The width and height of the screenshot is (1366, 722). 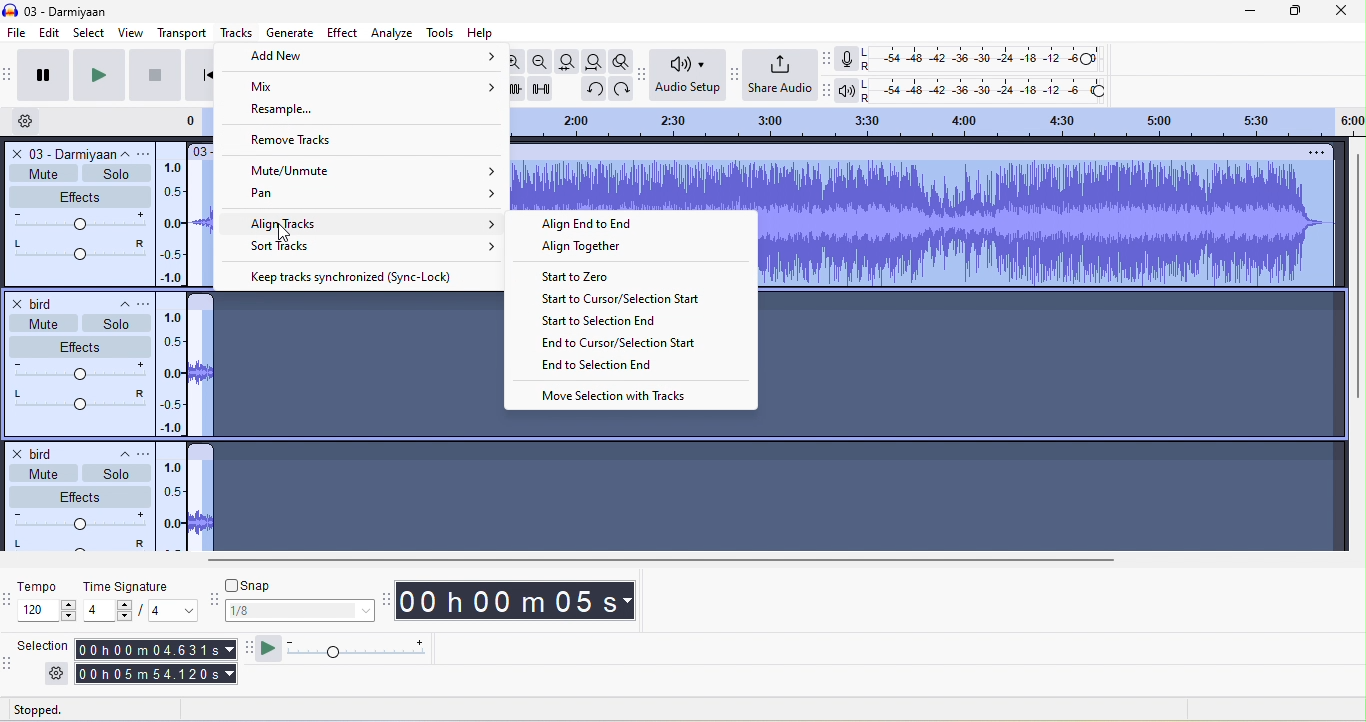 I want to click on pan, so click(x=368, y=199).